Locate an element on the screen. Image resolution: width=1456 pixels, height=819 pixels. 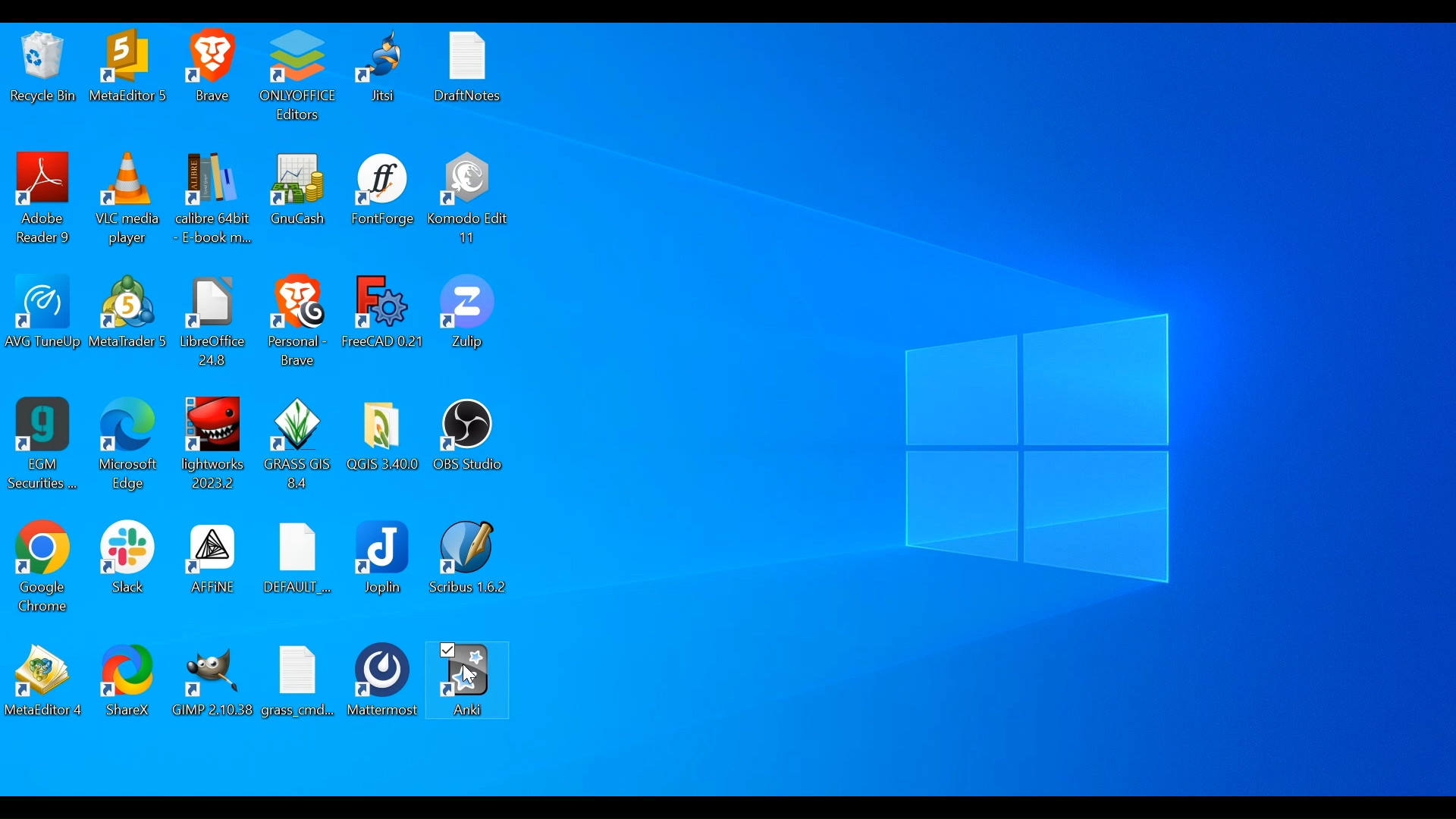
QGISFlder is located at coordinates (385, 436).